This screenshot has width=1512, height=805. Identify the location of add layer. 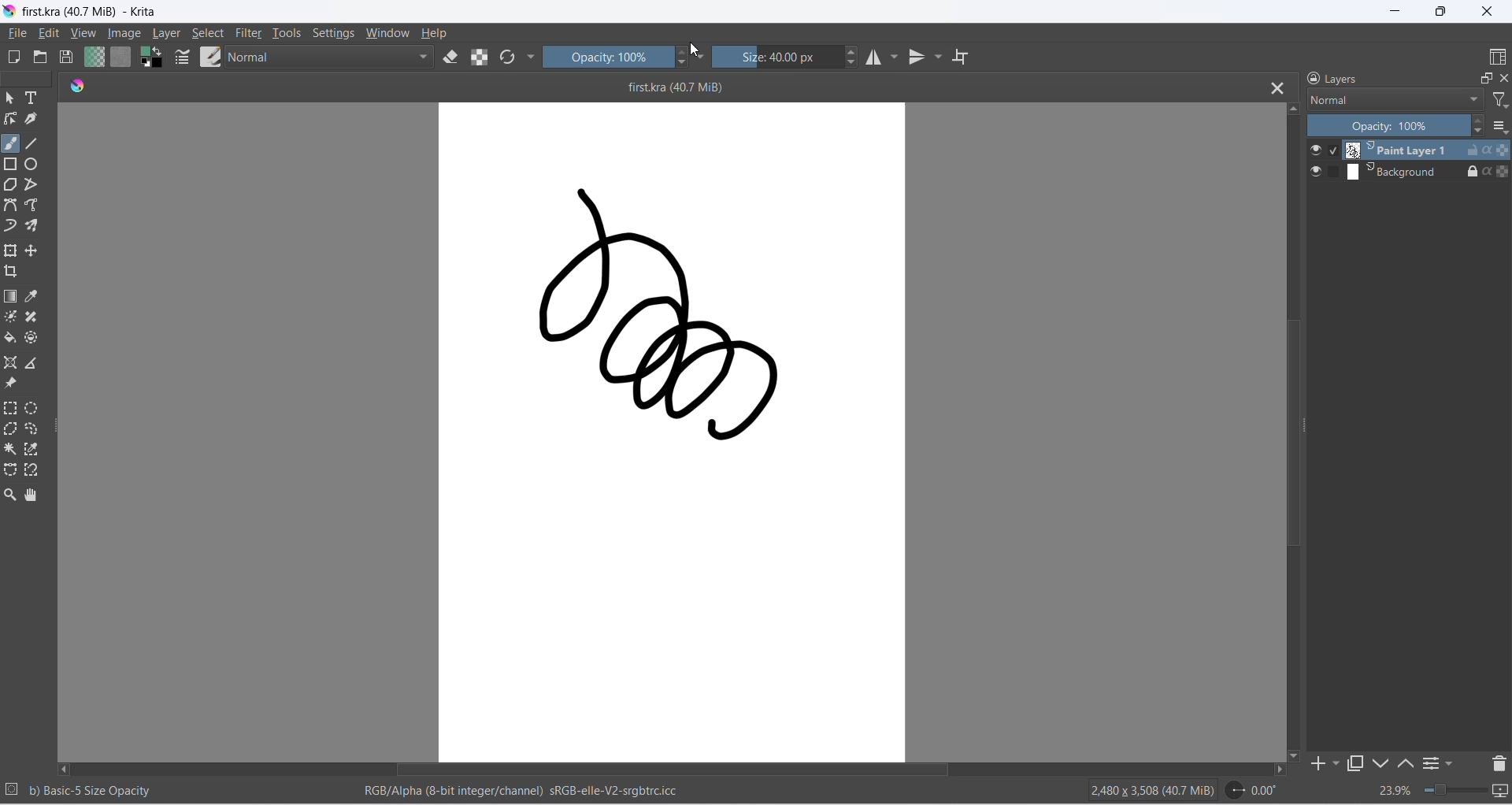
(1317, 763).